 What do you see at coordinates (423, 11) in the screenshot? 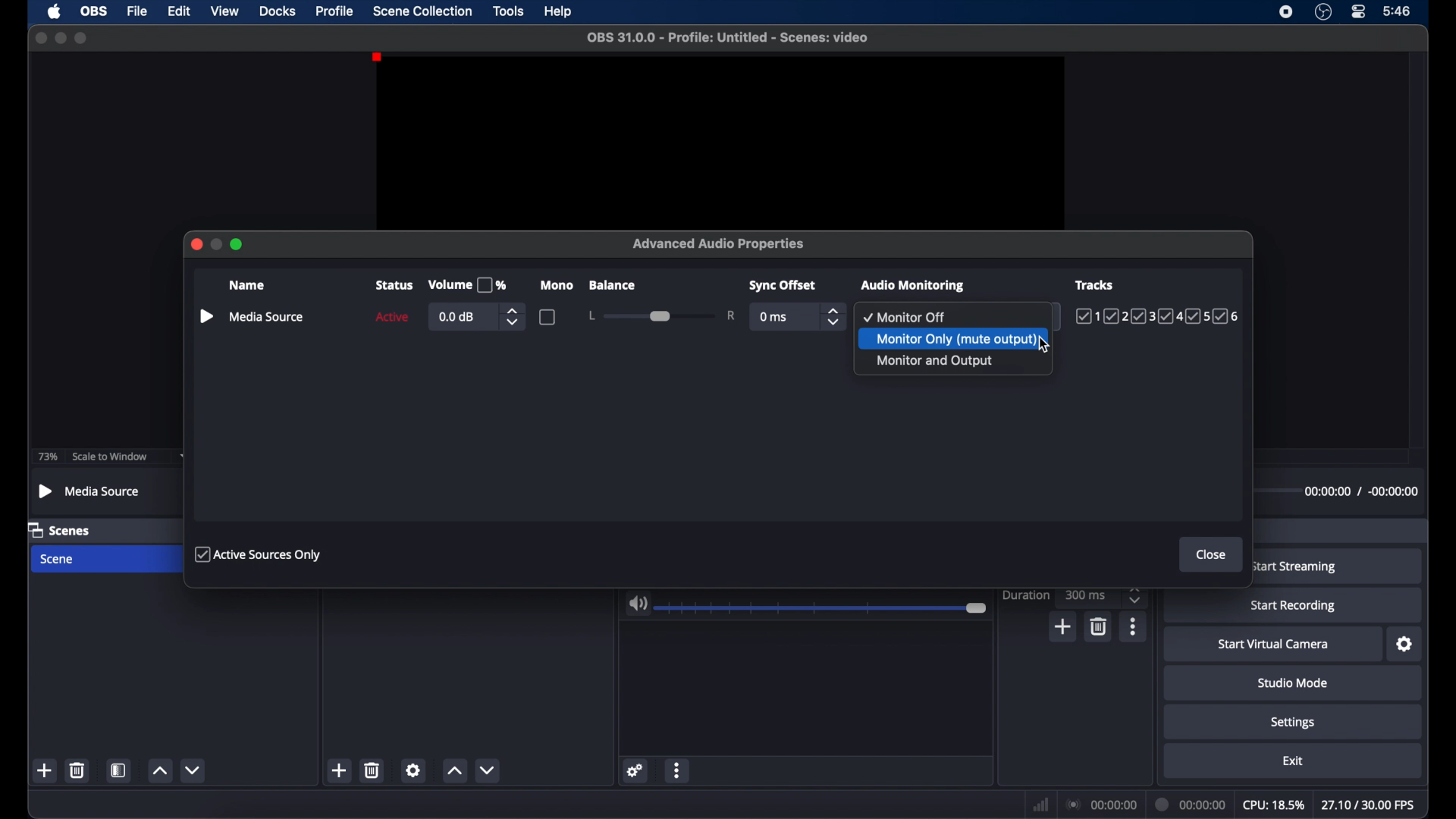
I see `scene collection` at bounding box center [423, 11].